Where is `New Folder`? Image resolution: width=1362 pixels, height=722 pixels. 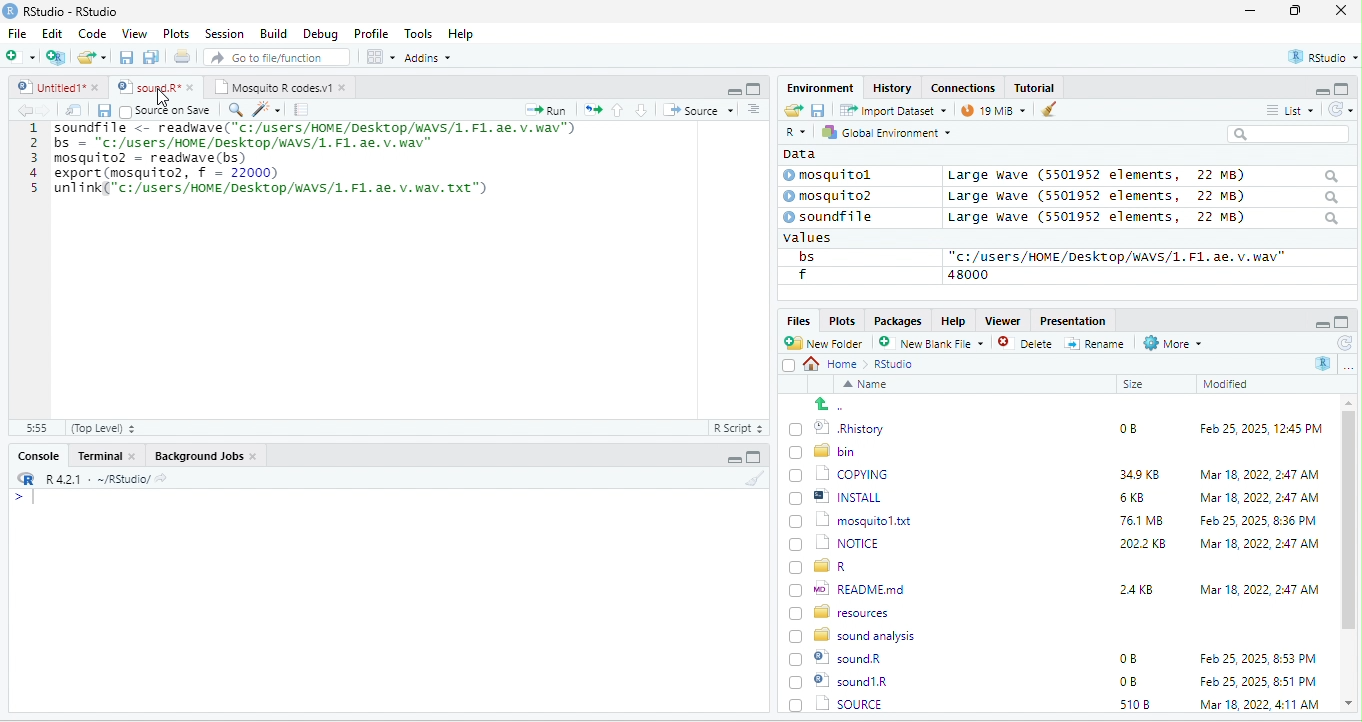 New Folder is located at coordinates (828, 343).